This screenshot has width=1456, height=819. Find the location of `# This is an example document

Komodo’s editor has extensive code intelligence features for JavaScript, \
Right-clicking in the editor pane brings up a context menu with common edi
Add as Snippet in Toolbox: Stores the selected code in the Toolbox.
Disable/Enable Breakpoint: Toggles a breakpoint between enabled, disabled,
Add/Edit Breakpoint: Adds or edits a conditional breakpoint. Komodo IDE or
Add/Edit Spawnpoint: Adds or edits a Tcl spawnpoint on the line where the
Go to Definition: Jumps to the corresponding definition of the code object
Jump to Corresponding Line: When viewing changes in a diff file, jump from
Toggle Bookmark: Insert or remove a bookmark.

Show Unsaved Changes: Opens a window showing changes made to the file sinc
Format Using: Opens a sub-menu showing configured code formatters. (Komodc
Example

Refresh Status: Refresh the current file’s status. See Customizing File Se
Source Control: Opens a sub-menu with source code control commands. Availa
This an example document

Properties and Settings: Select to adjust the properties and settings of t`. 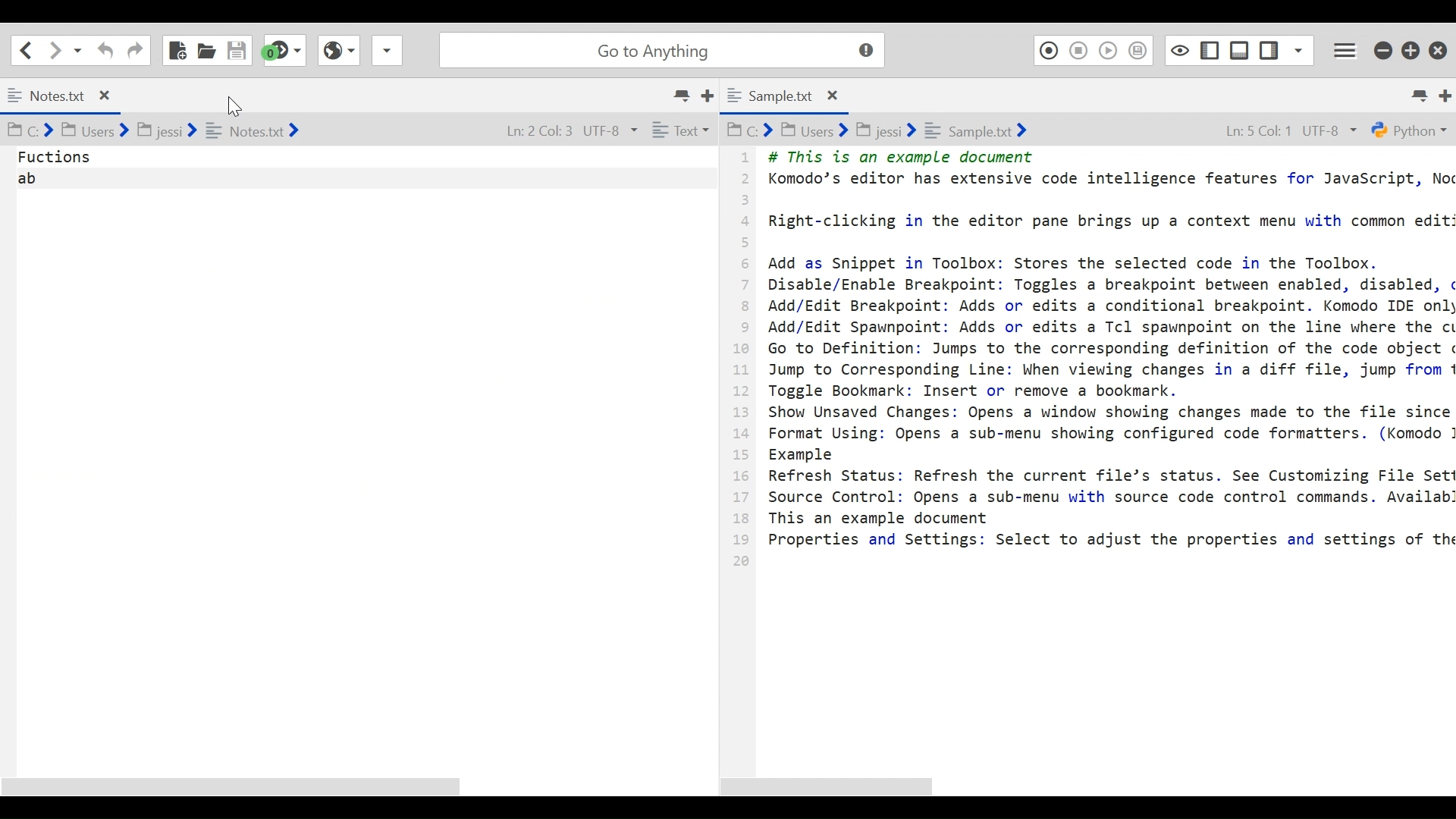

# This is an example document

Komodo’s editor has extensive code intelligence features for JavaScript, \
Right-clicking in the editor pane brings up a context menu with common edi
Add as Snippet in Toolbox: Stores the selected code in the Toolbox.
Disable/Enable Breakpoint: Toggles a breakpoint between enabled, disabled,
Add/Edit Breakpoint: Adds or edits a conditional breakpoint. Komodo IDE or
Add/Edit Spawnpoint: Adds or edits a Tcl spawnpoint on the line where the
Go to Definition: Jumps to the corresponding definition of the code object
Jump to Corresponding Line: When viewing changes in a diff file, jump from
Toggle Bookmark: Insert or remove a bookmark.

Show Unsaved Changes: Opens a window showing changes made to the file sinc
Format Using: Opens a sub-menu showing configured code formatters. (Komodc
Example

Refresh Status: Refresh the current file’s status. See Customizing File Se
Source Control: Opens a sub-menu with source code control commands. Availa
This an example document

Properties and Settings: Select to adjust the properties and settings of t is located at coordinates (1106, 357).